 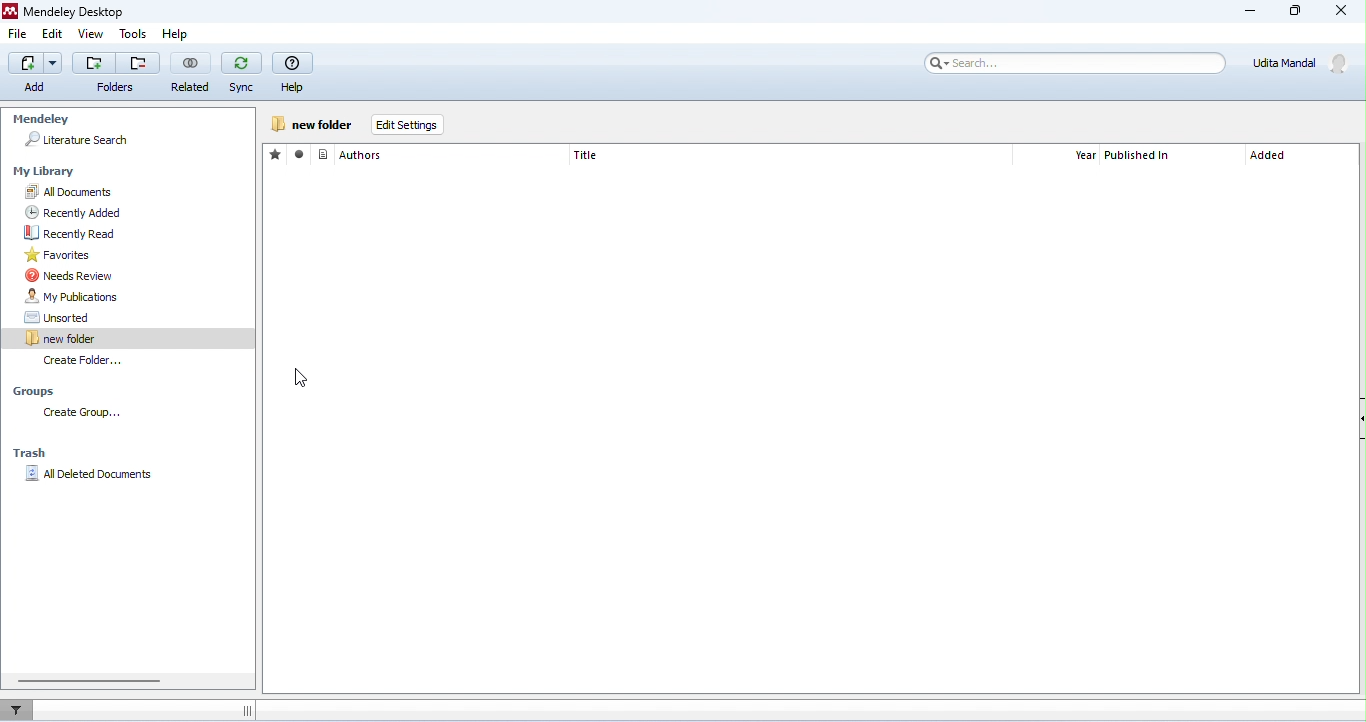 What do you see at coordinates (1252, 13) in the screenshot?
I see `minimize` at bounding box center [1252, 13].